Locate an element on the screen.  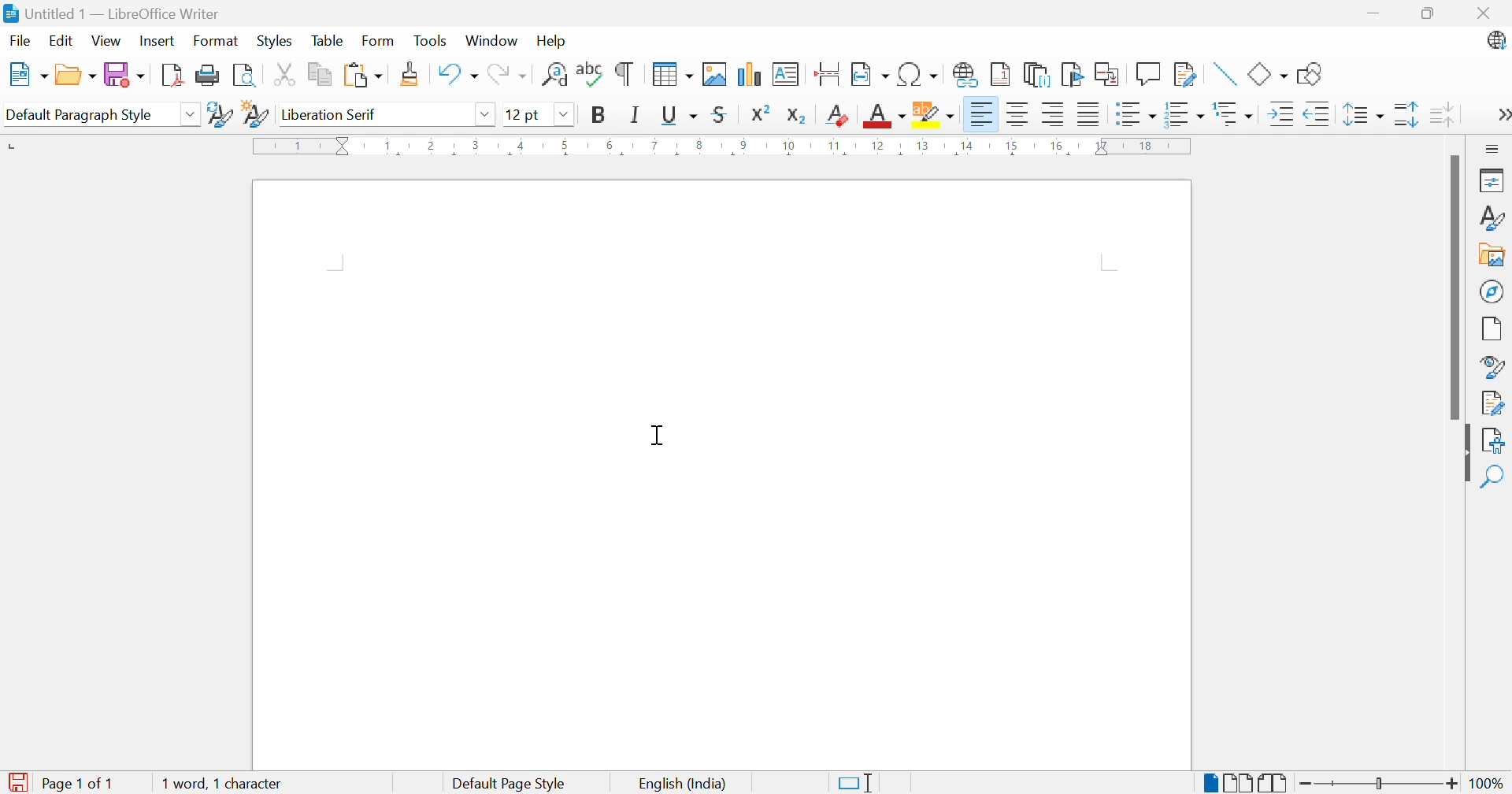
Style inspector is located at coordinates (1489, 368).